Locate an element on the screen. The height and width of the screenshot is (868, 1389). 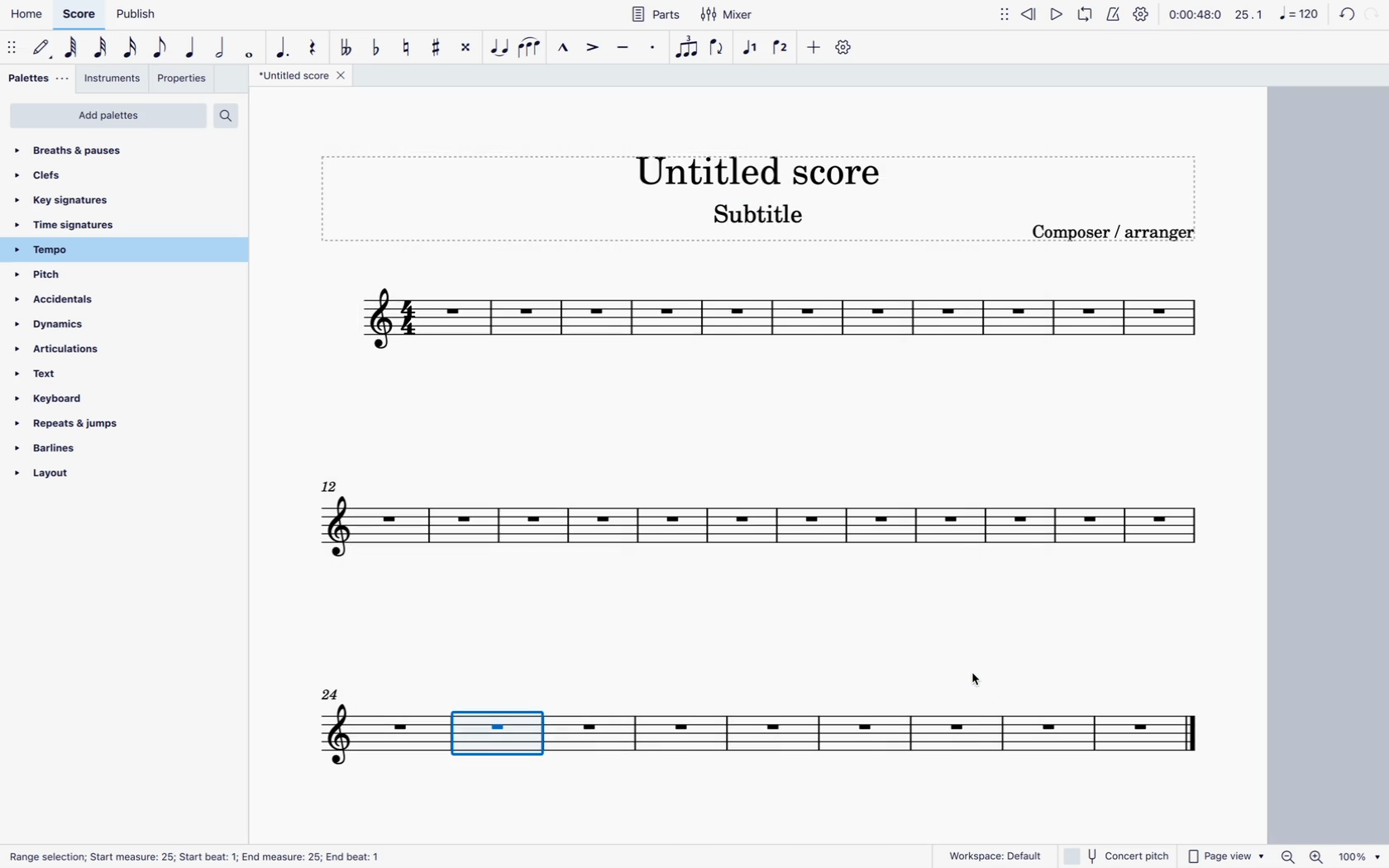
score is located at coordinates (784, 320).